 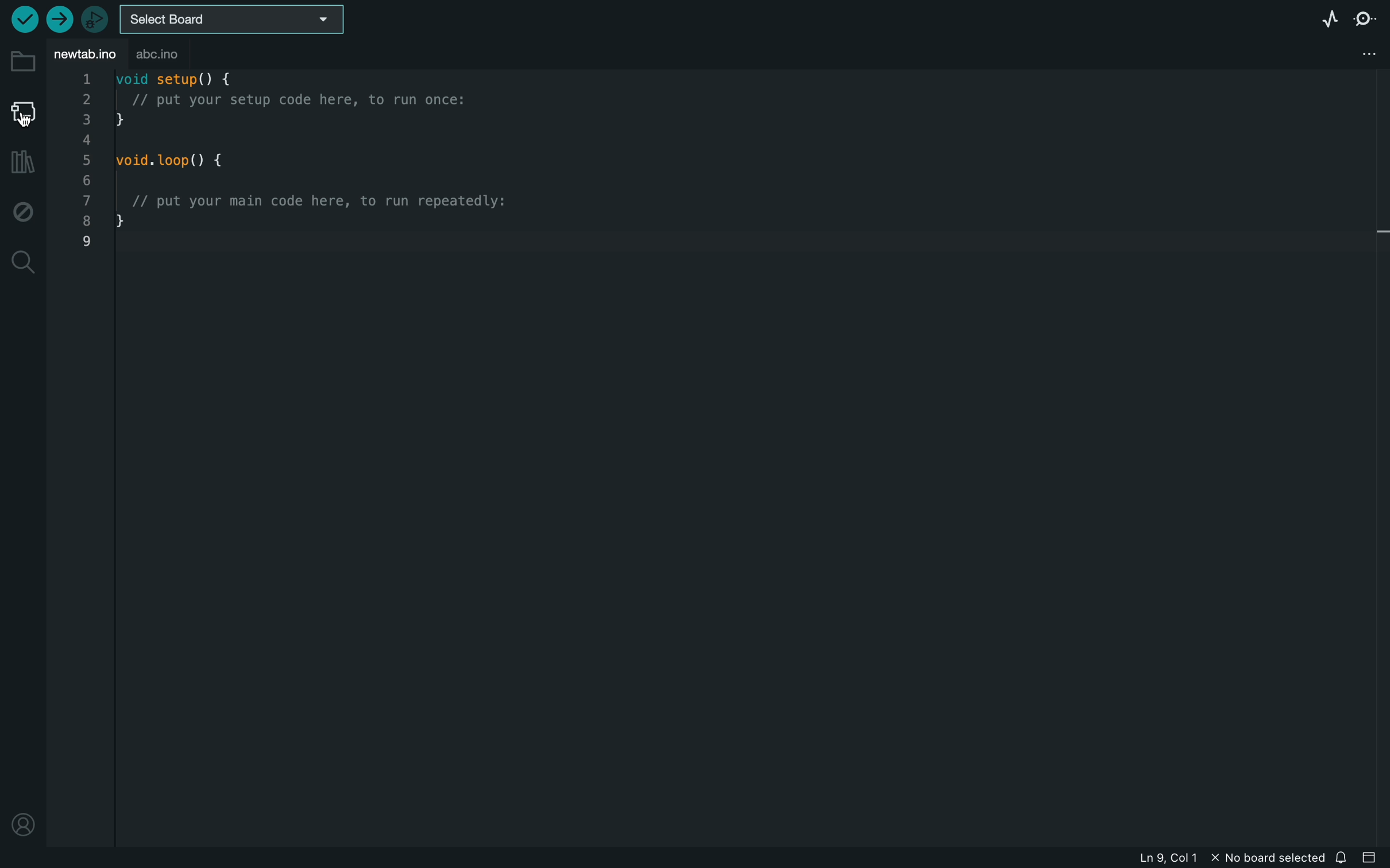 I want to click on library manager, so click(x=21, y=164).